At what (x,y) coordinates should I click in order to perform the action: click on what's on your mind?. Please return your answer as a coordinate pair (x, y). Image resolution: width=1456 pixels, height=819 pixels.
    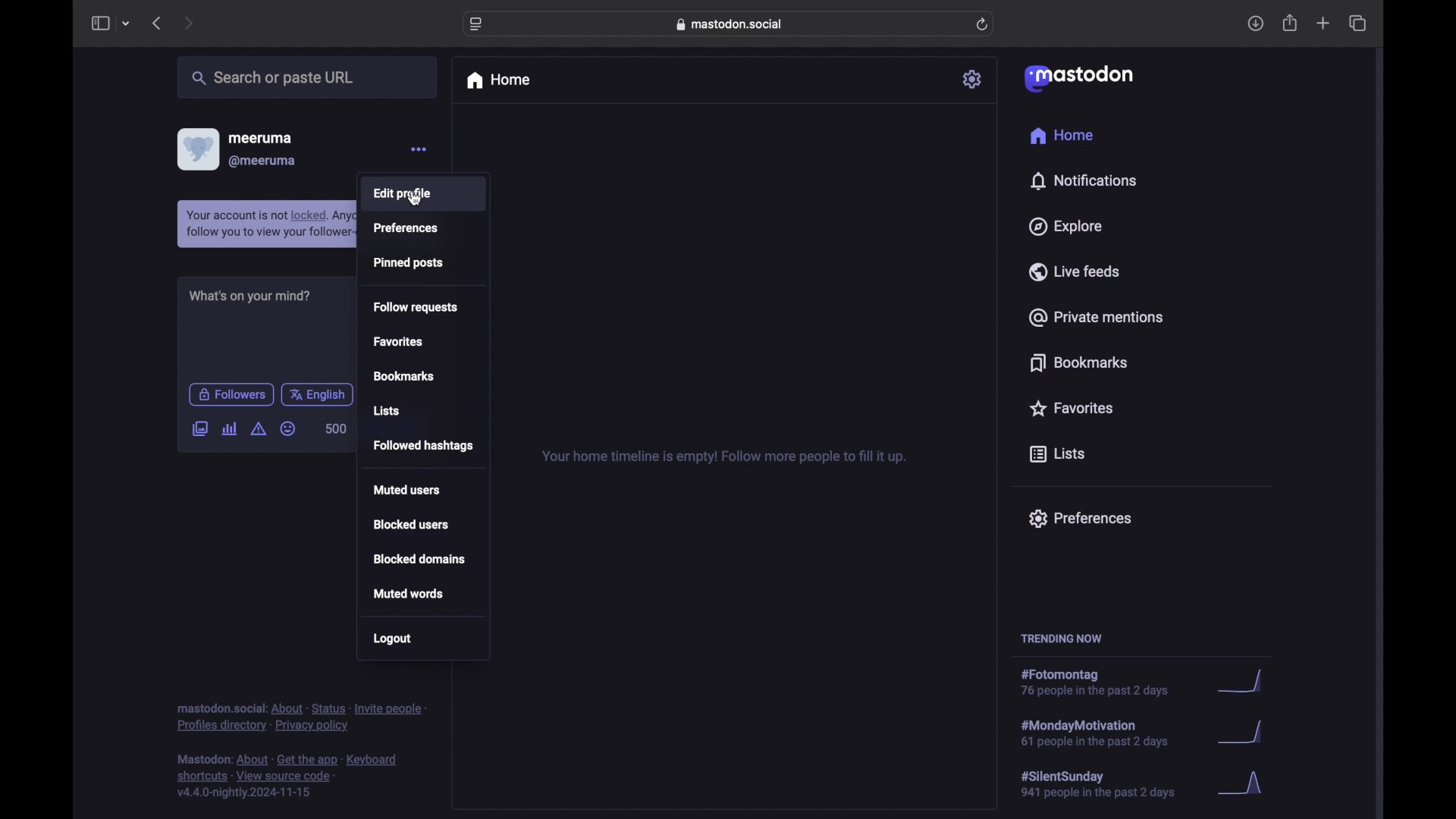
    Looking at the image, I should click on (249, 295).